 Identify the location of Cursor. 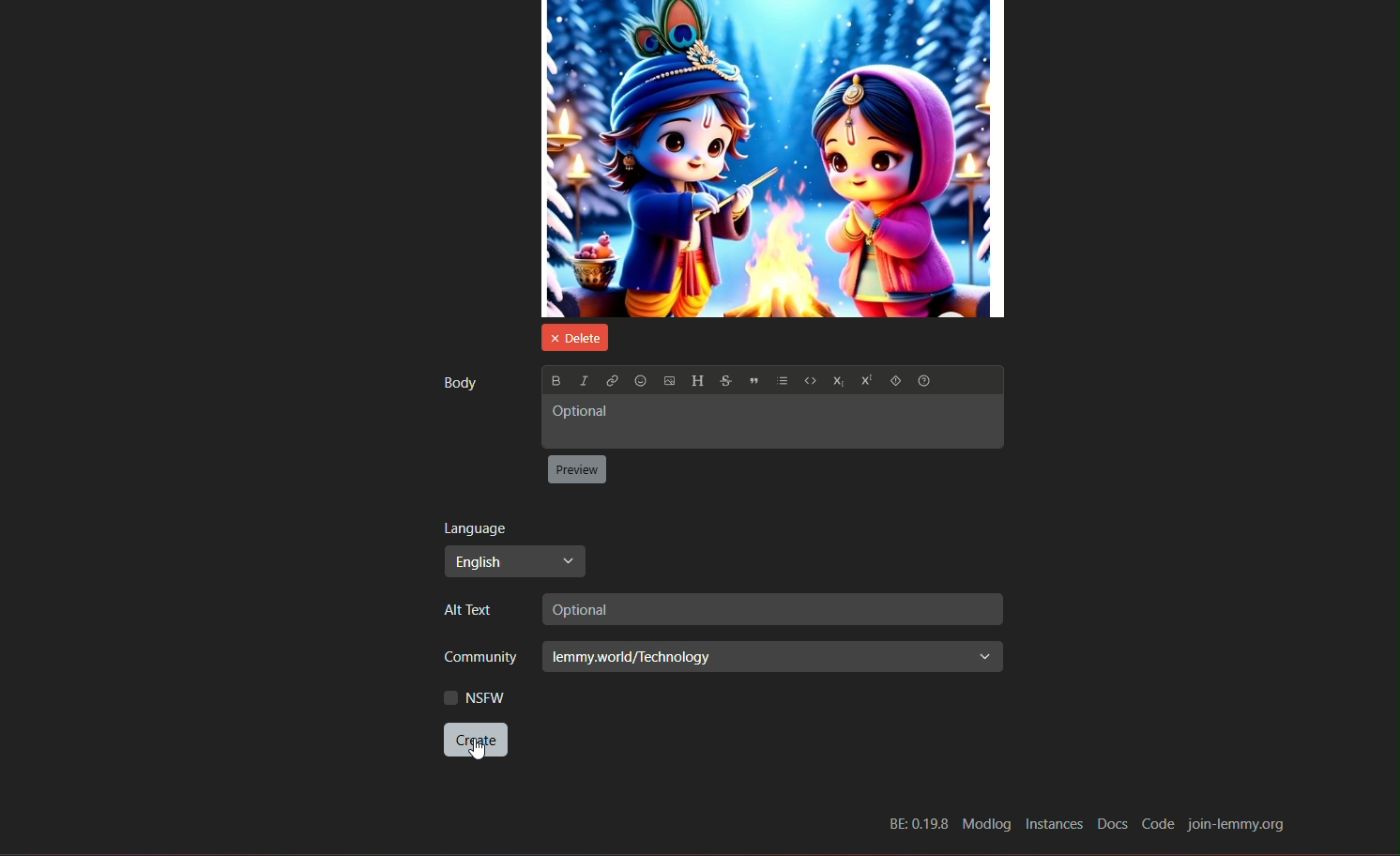
(479, 754).